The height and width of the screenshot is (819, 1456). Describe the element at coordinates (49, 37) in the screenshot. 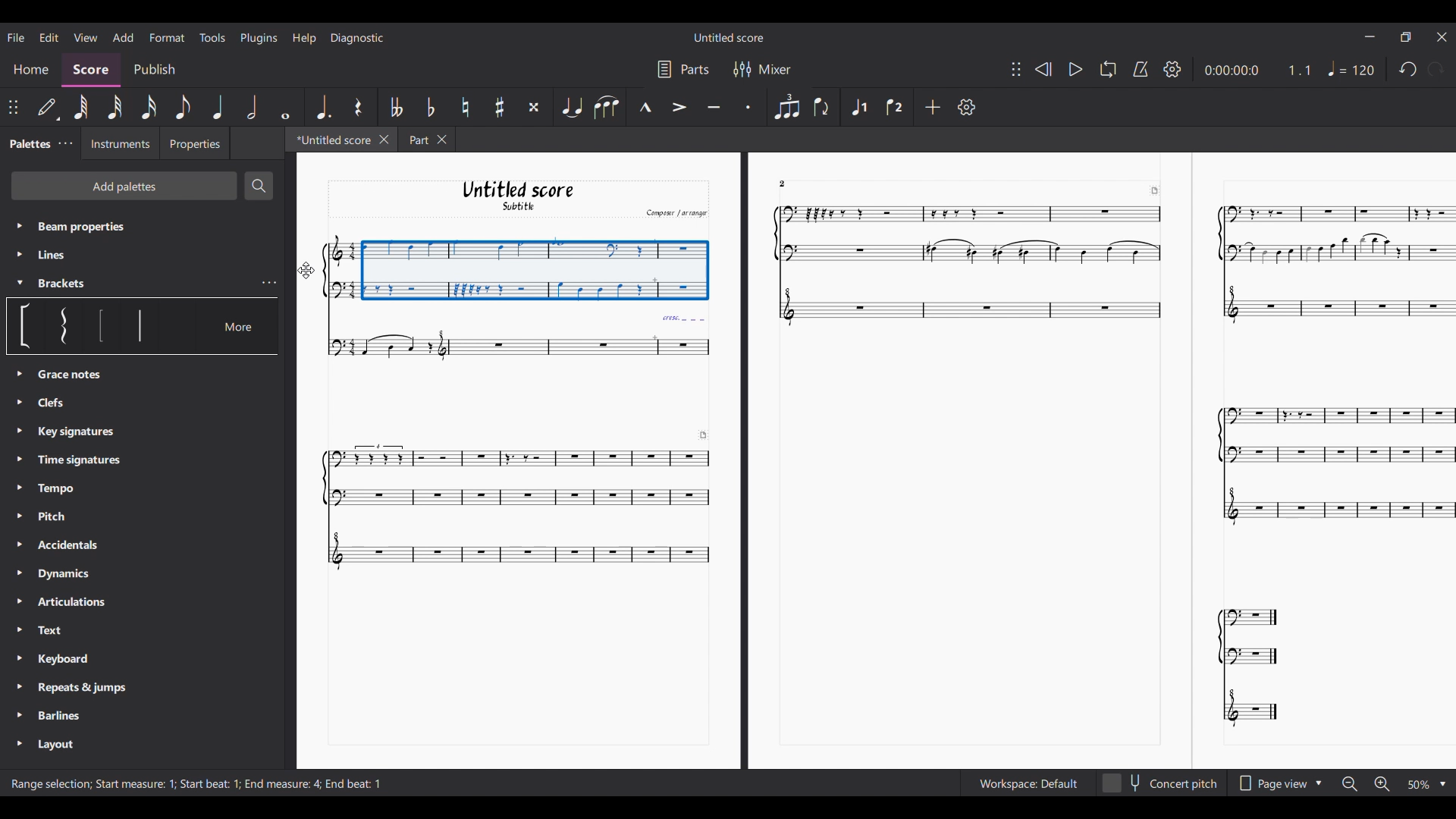

I see `Edit` at that location.